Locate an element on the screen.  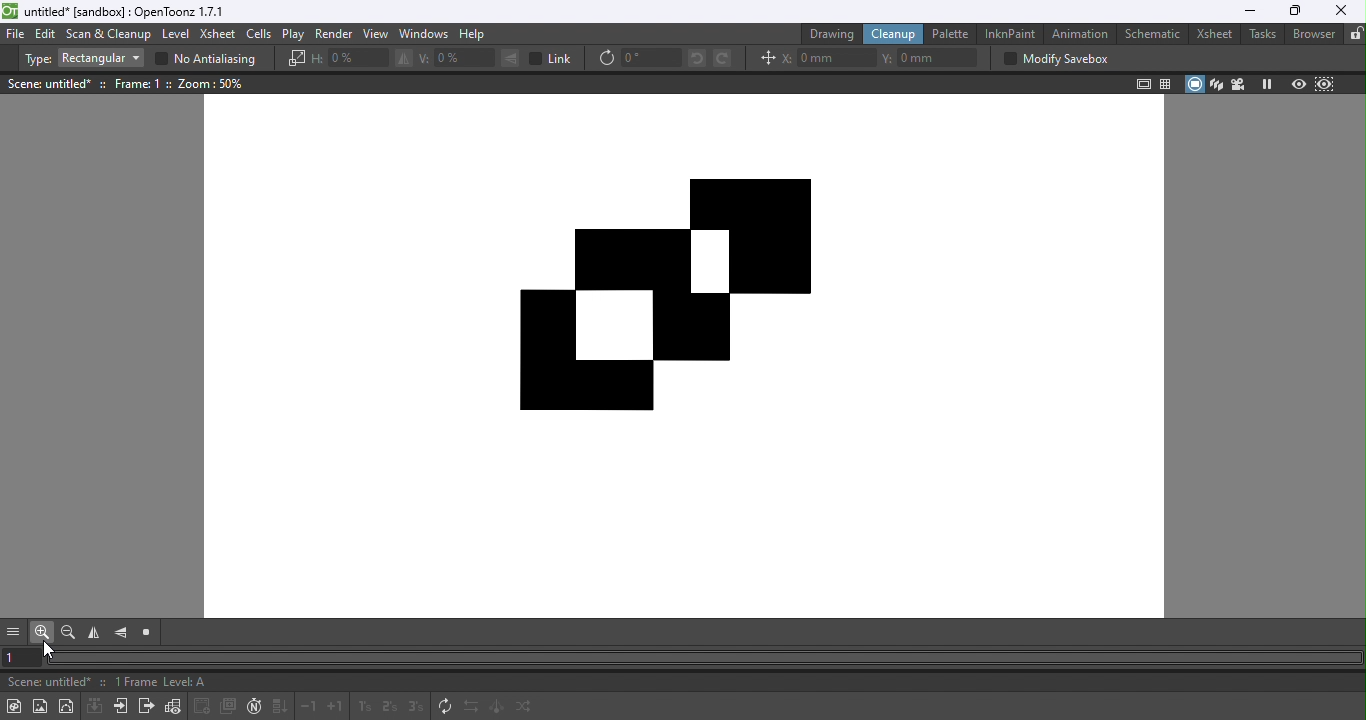
Zoom in is located at coordinates (41, 634).